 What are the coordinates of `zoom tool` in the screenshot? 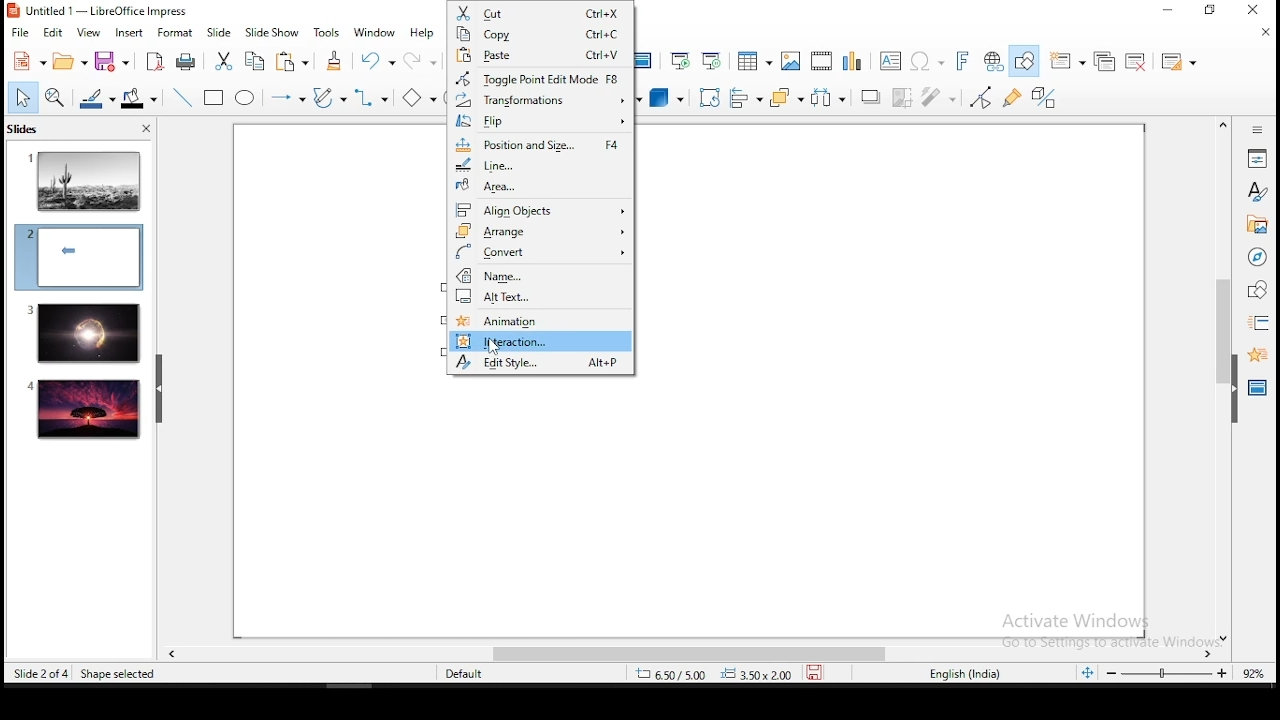 It's located at (55, 99).